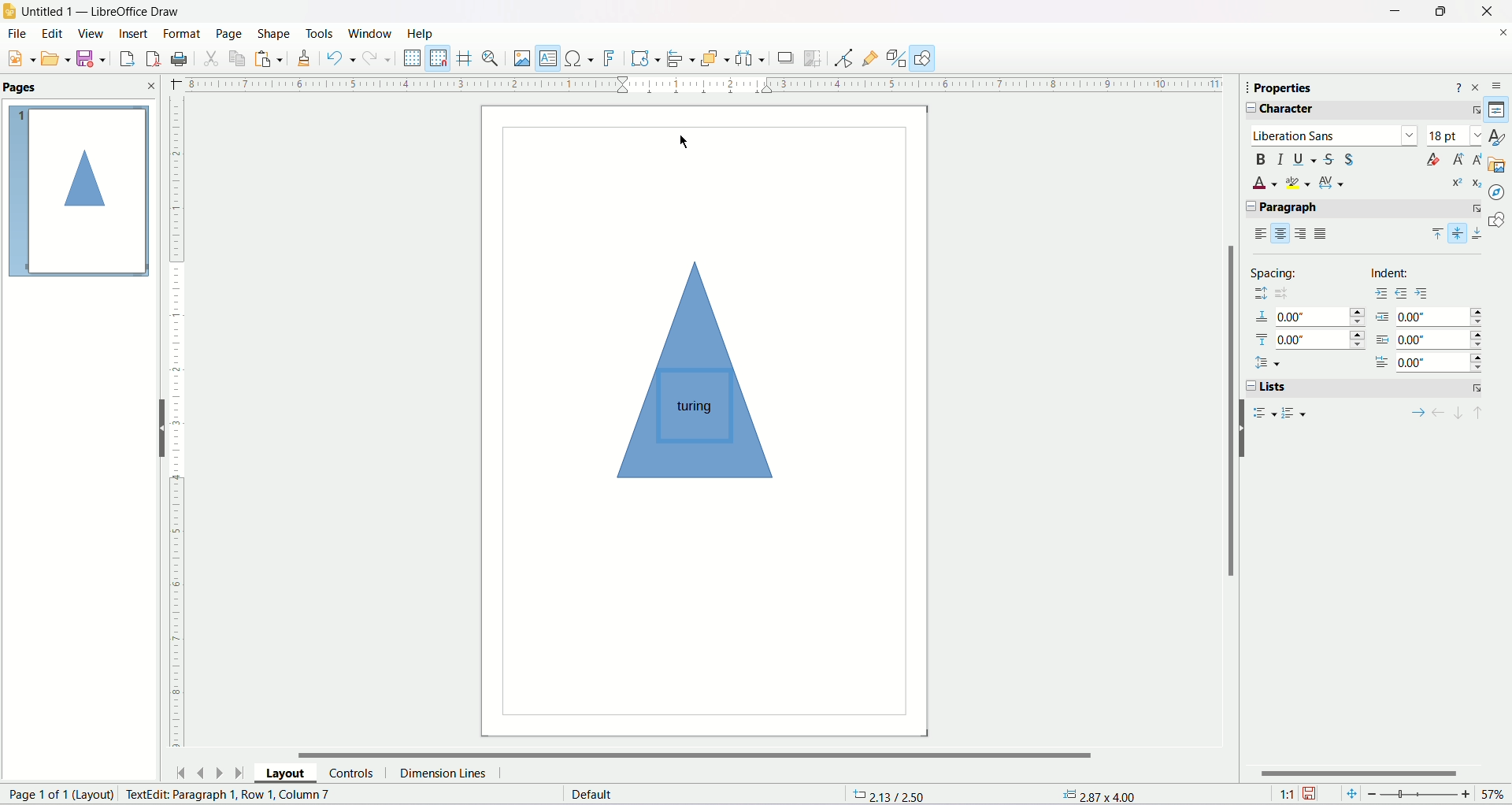 The height and width of the screenshot is (805, 1512). Describe the element at coordinates (1361, 772) in the screenshot. I see `Slider` at that location.